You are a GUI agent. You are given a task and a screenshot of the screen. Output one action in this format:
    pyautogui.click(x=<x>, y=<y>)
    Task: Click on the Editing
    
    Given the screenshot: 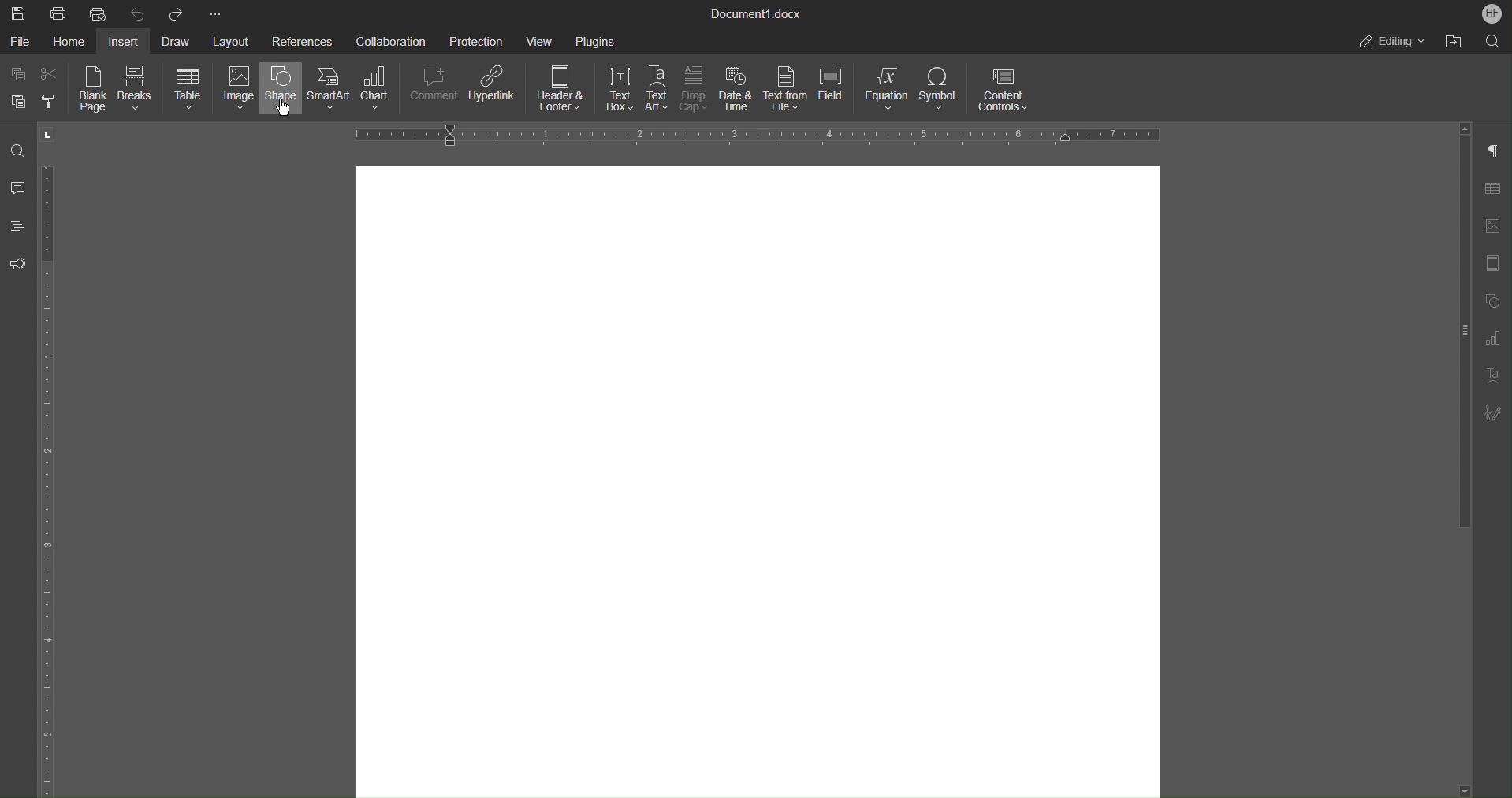 What is the action you would take?
    pyautogui.click(x=1393, y=42)
    